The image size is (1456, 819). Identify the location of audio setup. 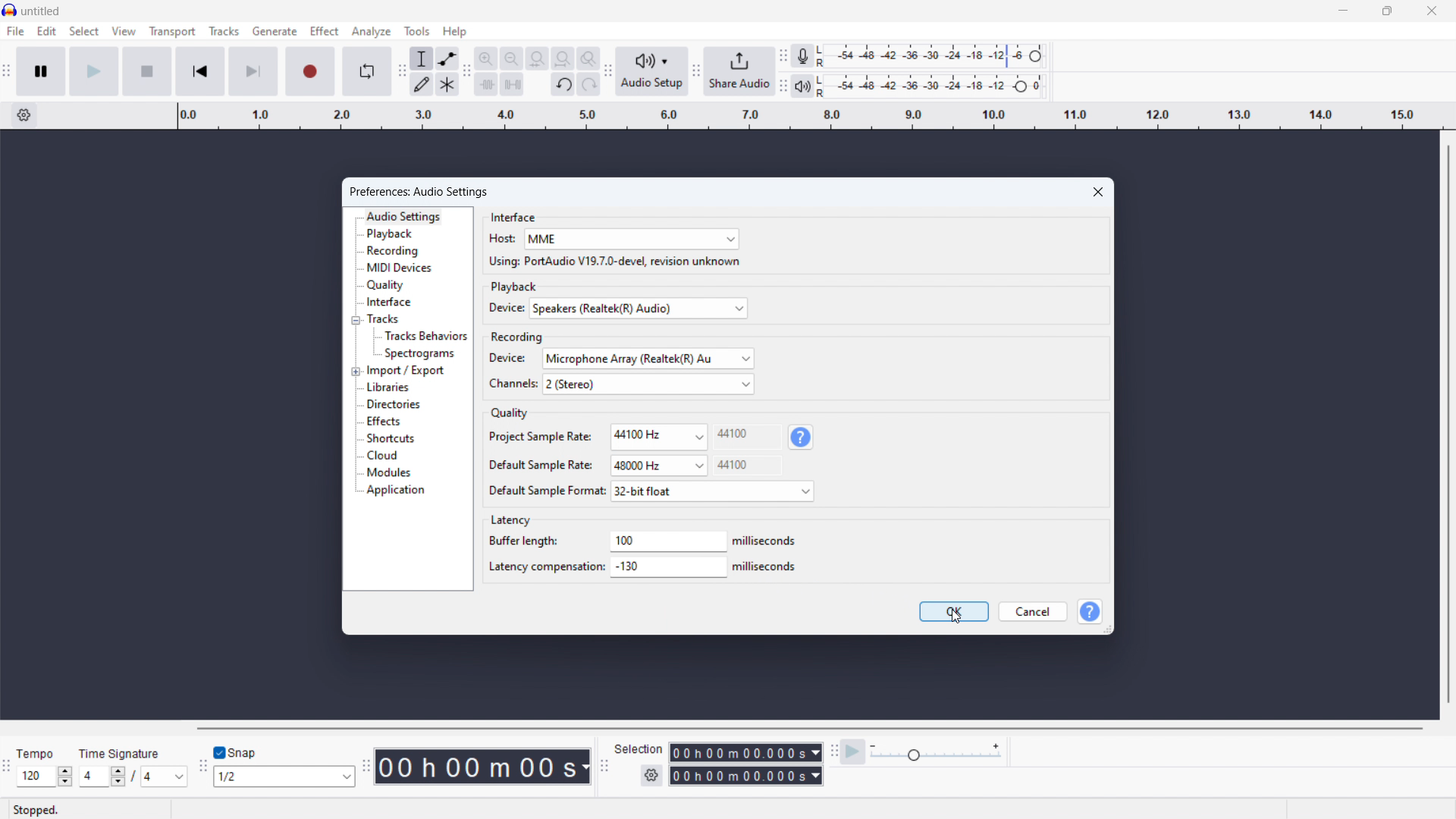
(651, 71).